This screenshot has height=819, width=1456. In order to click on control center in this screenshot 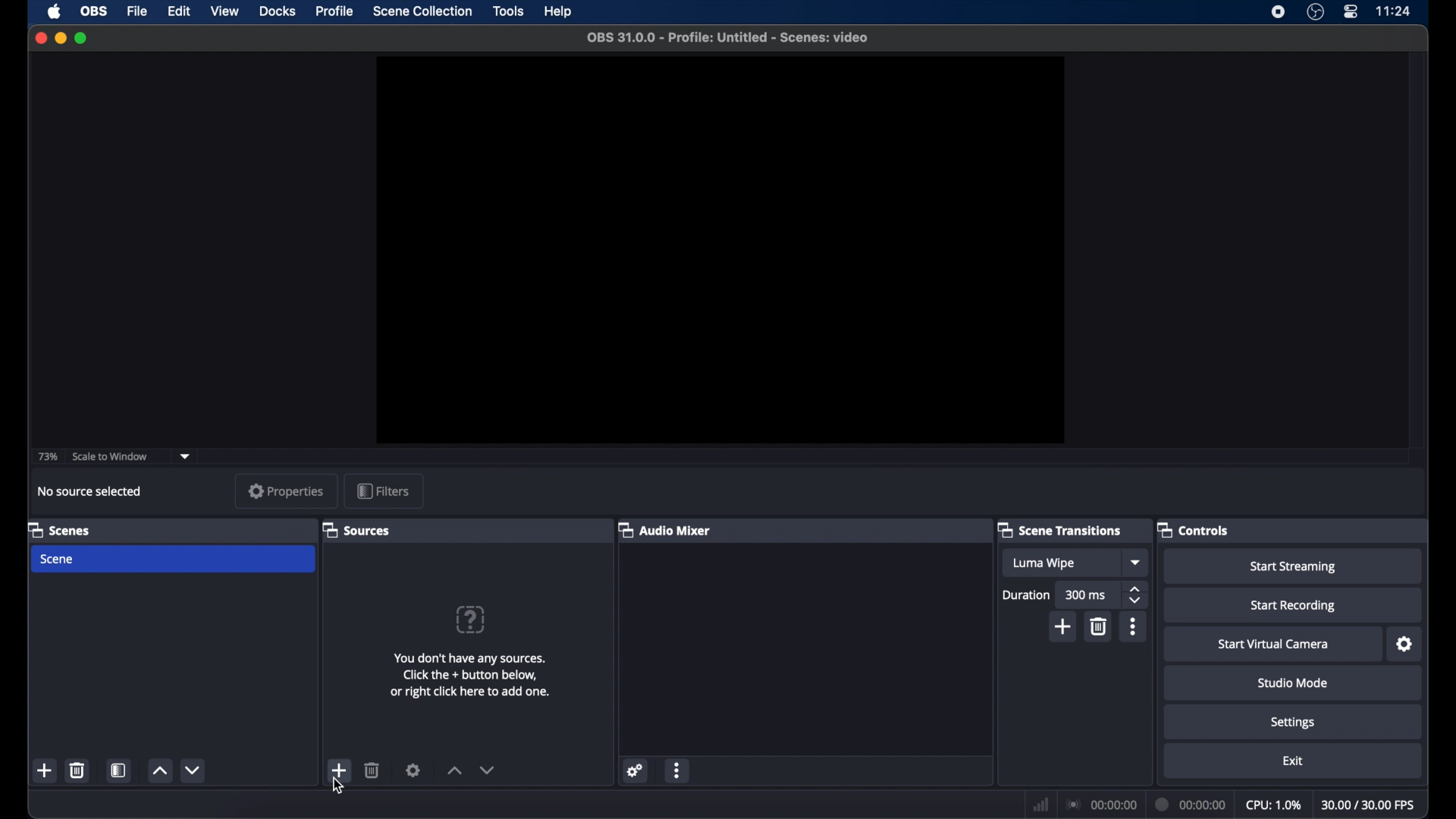, I will do `click(1350, 12)`.